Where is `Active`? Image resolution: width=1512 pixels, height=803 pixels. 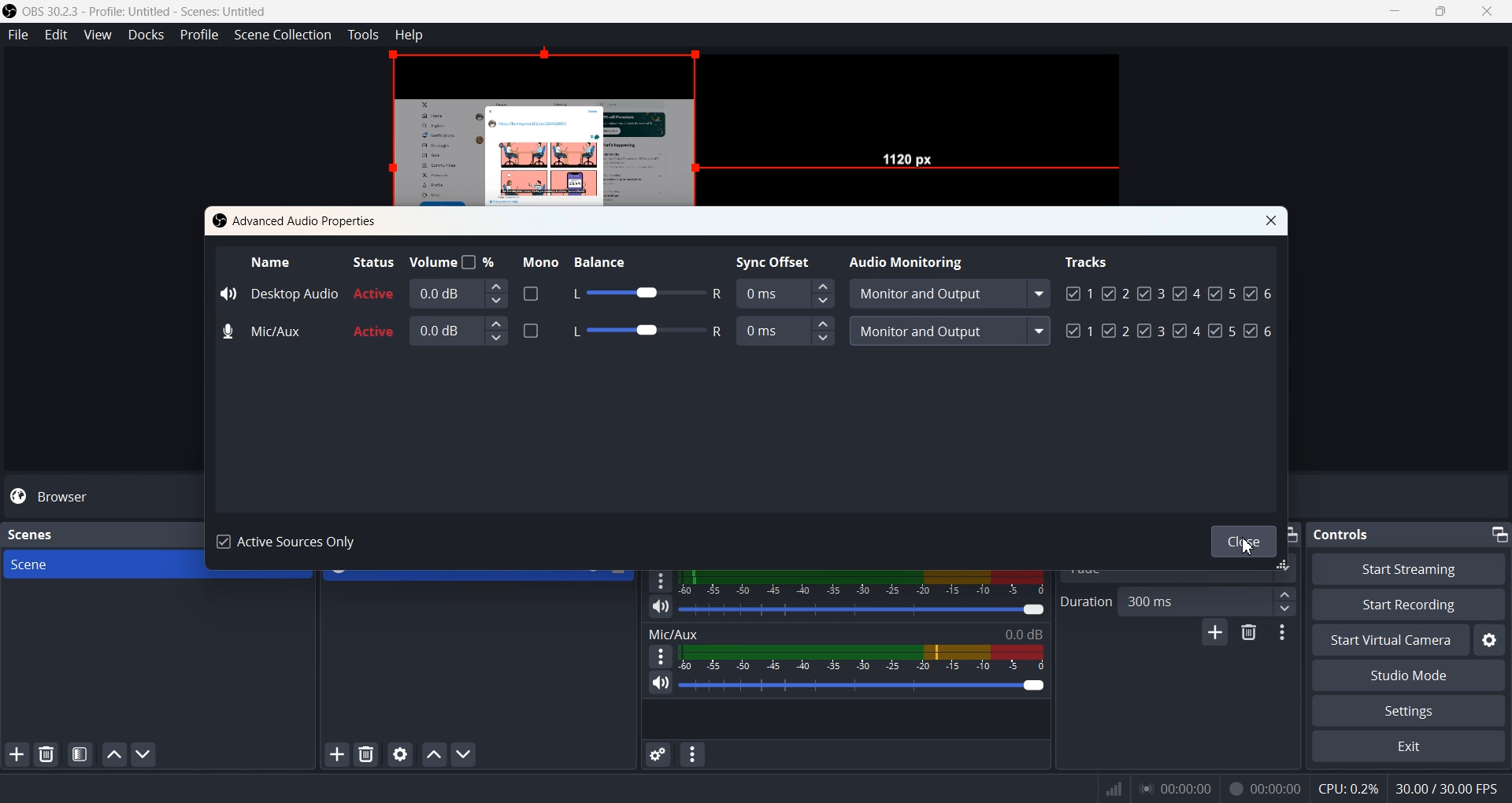
Active is located at coordinates (374, 313).